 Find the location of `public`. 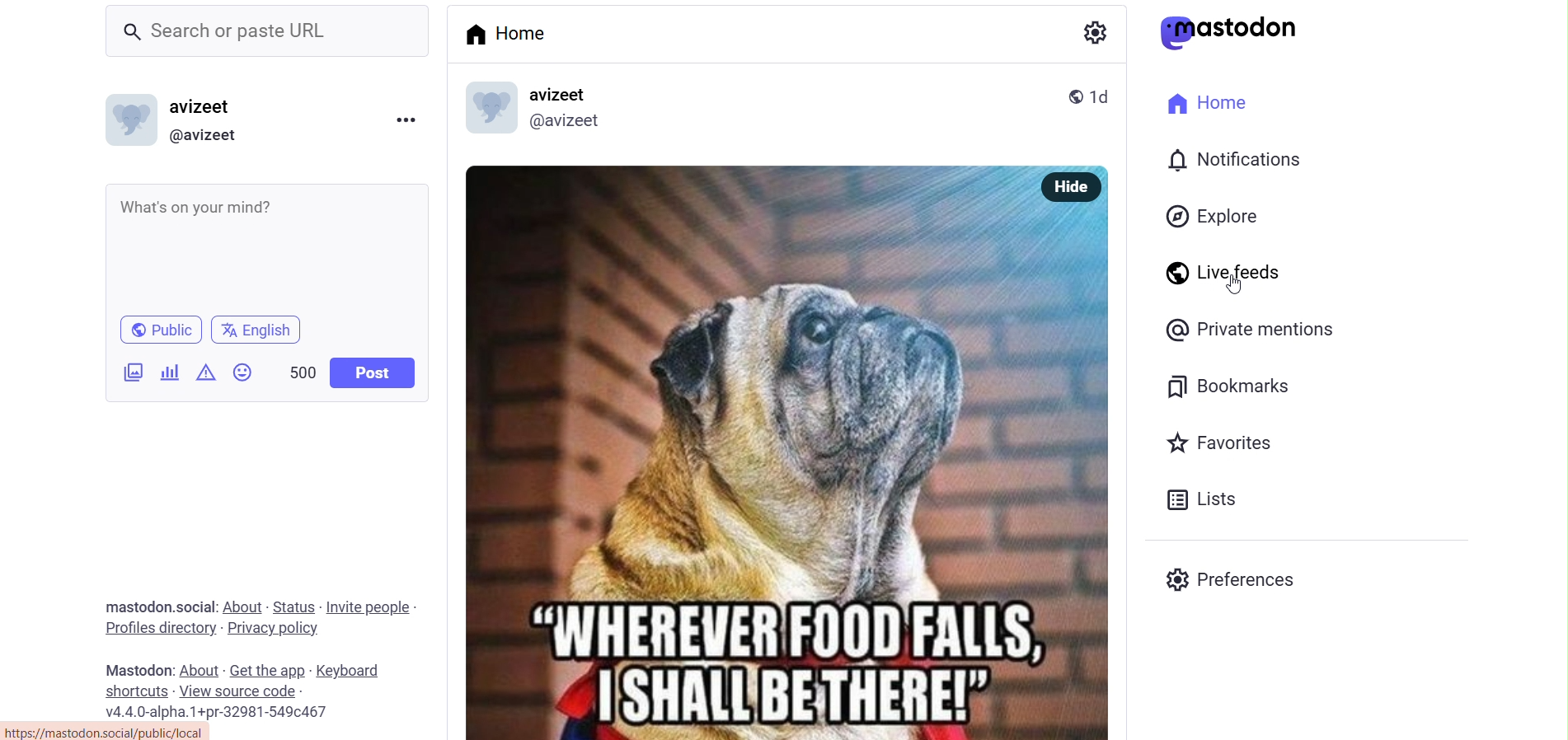

public is located at coordinates (1073, 97).